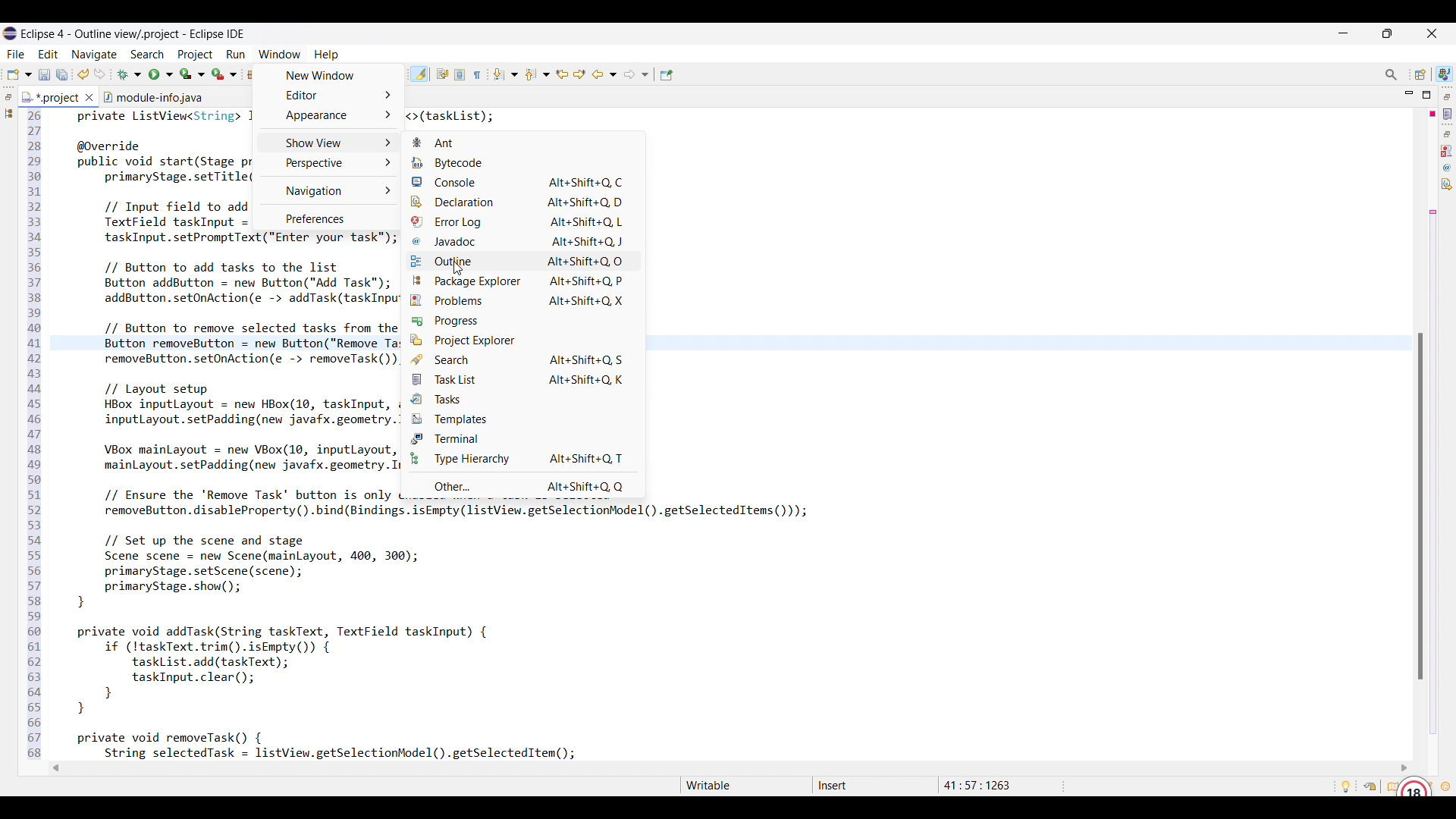  What do you see at coordinates (325, 217) in the screenshot?
I see `Preferences` at bounding box center [325, 217].